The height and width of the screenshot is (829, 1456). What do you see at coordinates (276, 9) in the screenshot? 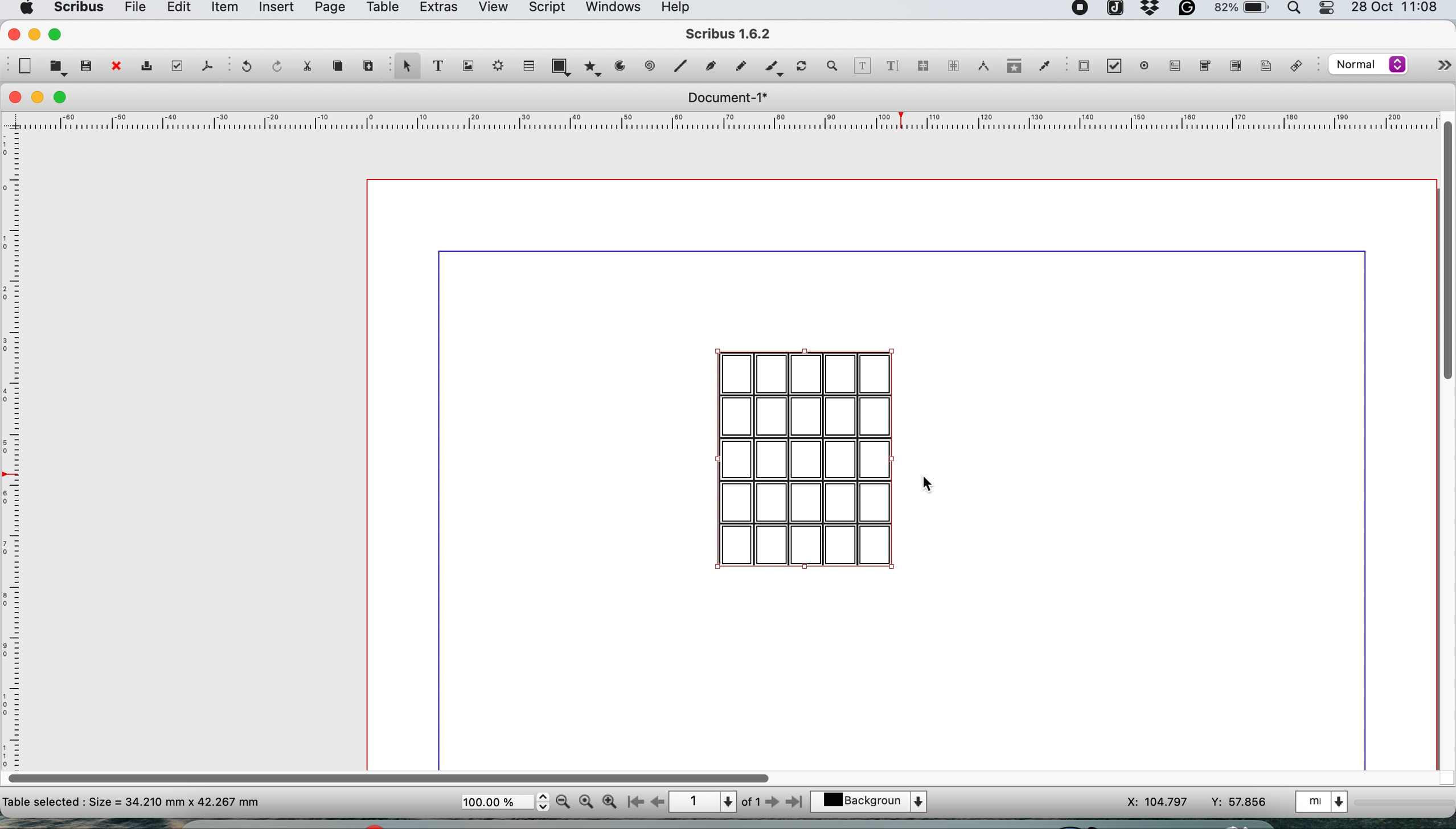
I see `insert` at bounding box center [276, 9].